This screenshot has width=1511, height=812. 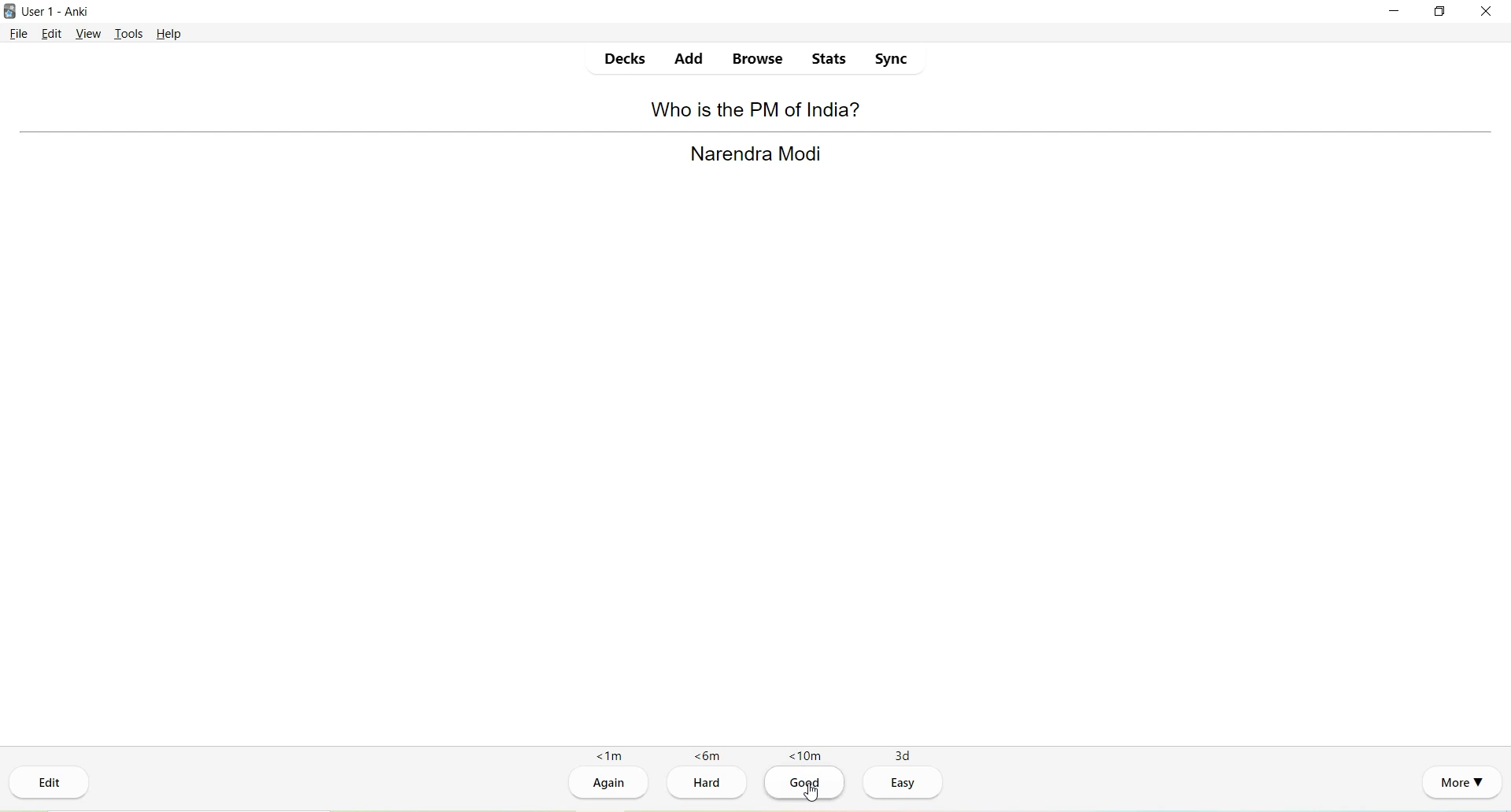 What do you see at coordinates (50, 787) in the screenshot?
I see `Edit` at bounding box center [50, 787].